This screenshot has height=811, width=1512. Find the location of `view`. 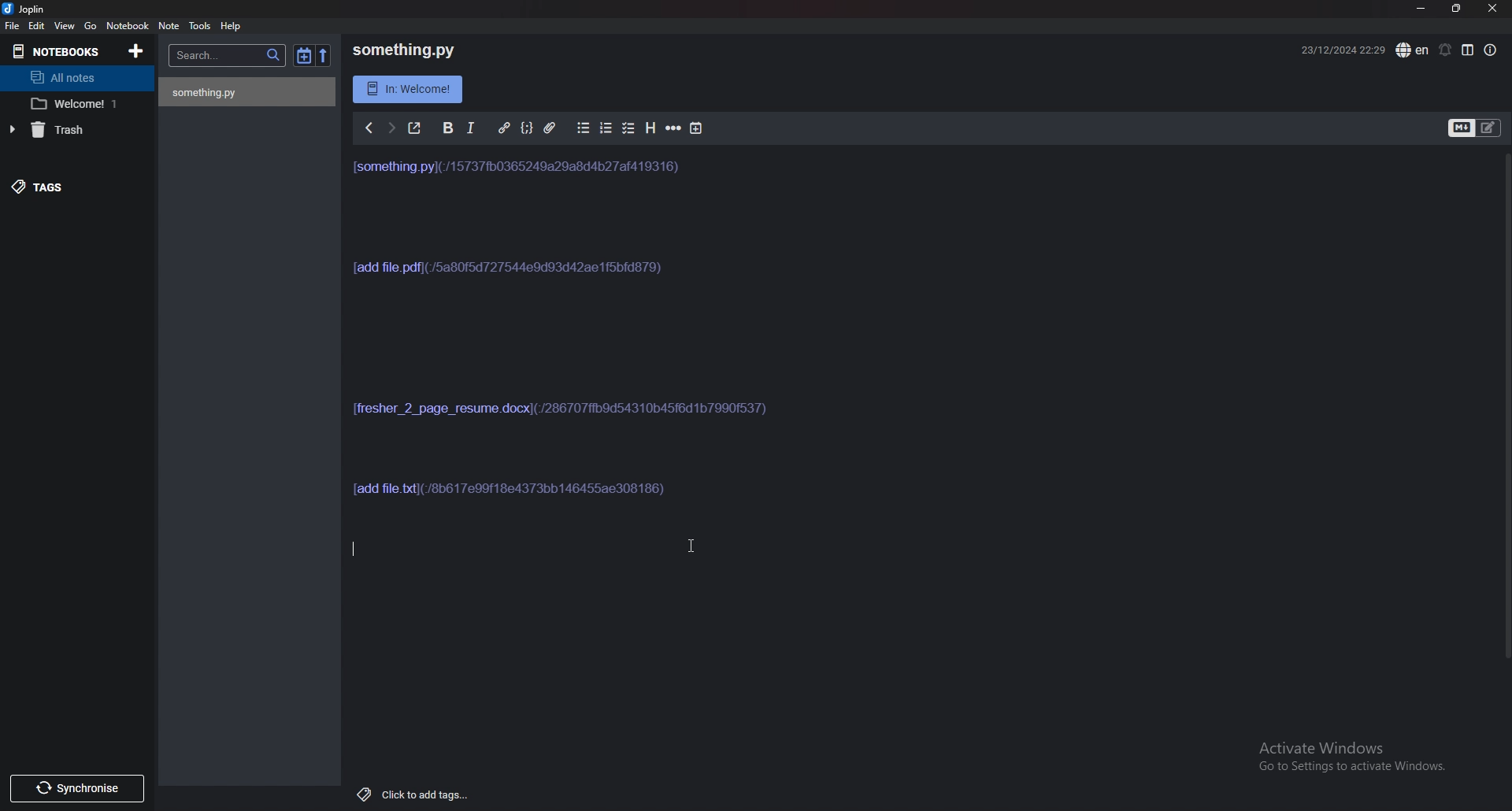

view is located at coordinates (65, 27).